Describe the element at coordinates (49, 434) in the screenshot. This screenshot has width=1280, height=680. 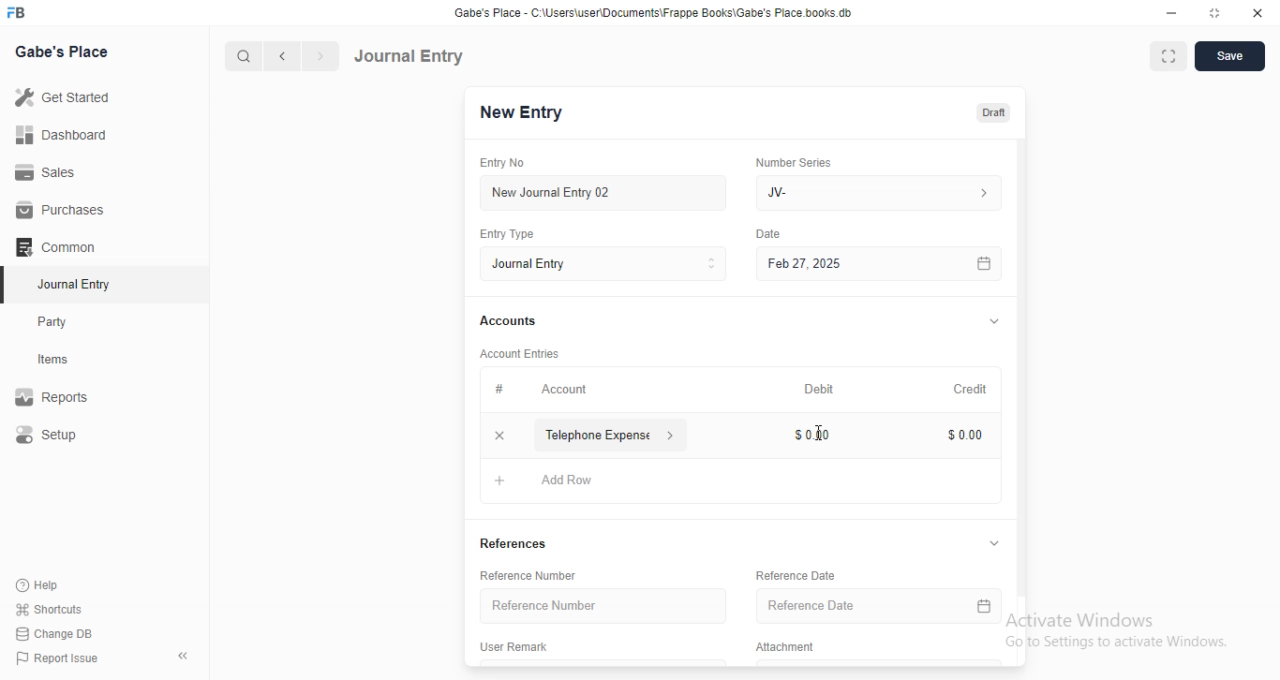
I see `Setup` at that location.